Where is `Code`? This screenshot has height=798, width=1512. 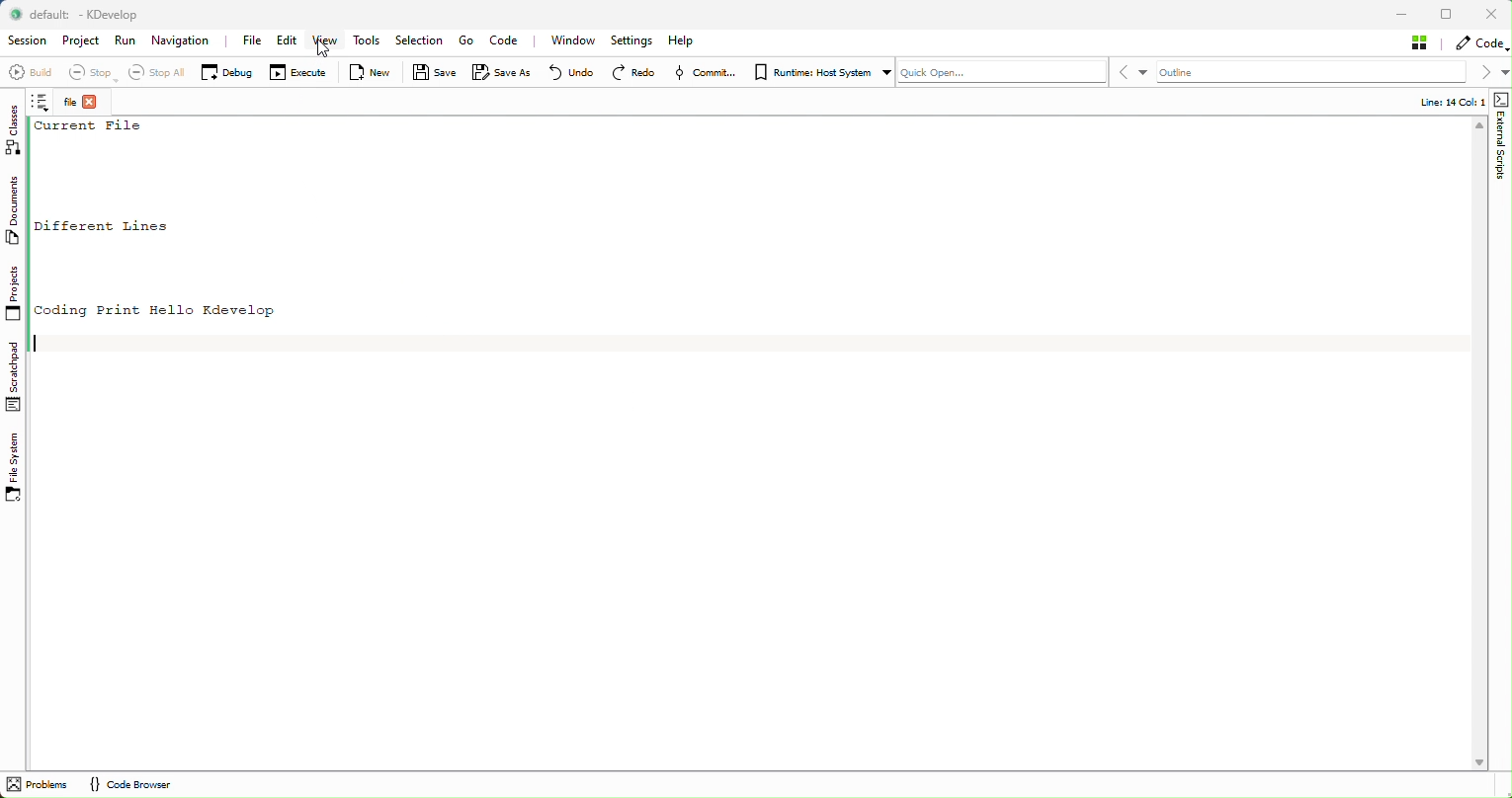 Code is located at coordinates (510, 40).